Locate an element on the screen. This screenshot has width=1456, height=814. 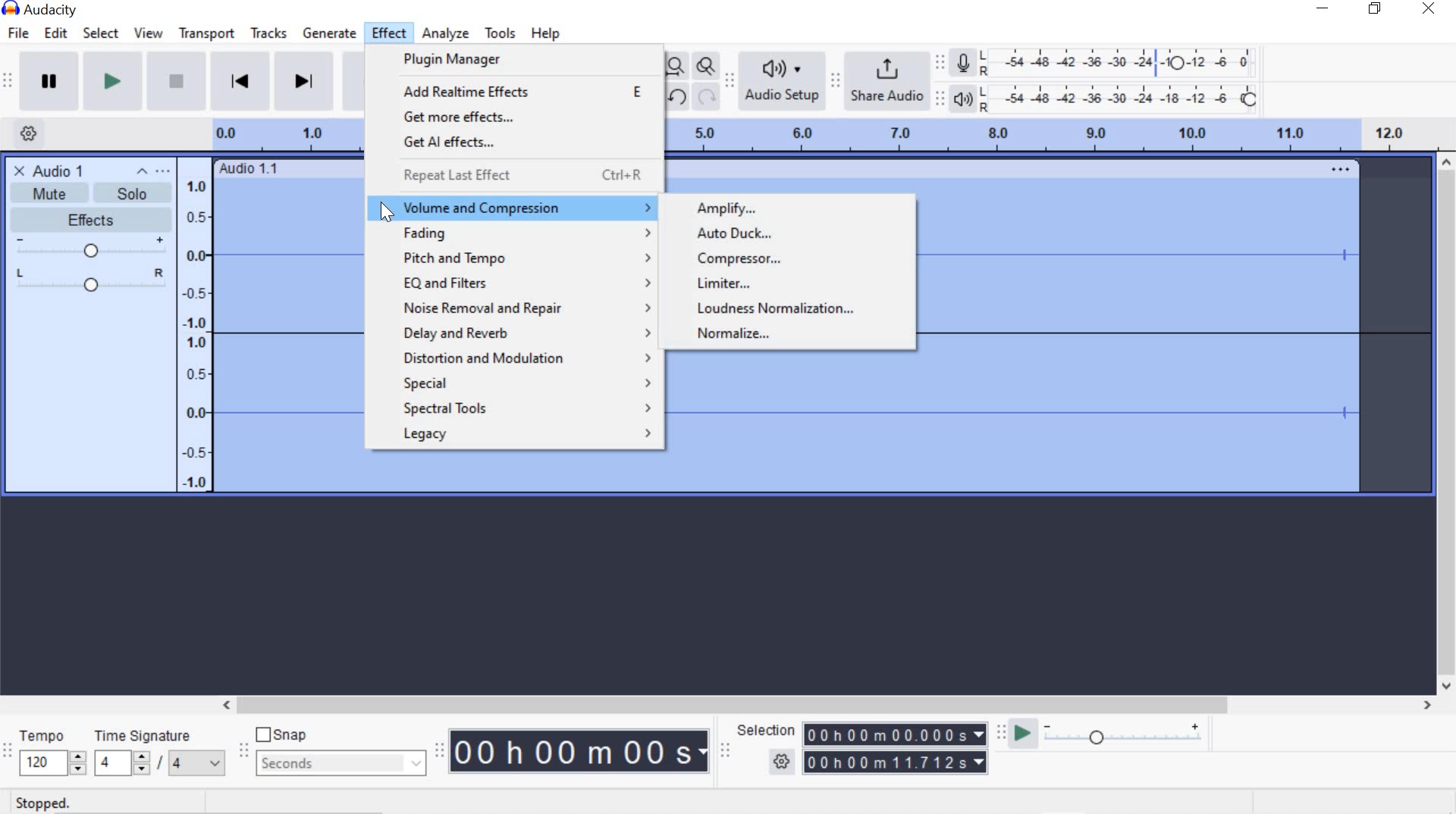
distortion and modulation is located at coordinates (530, 357).